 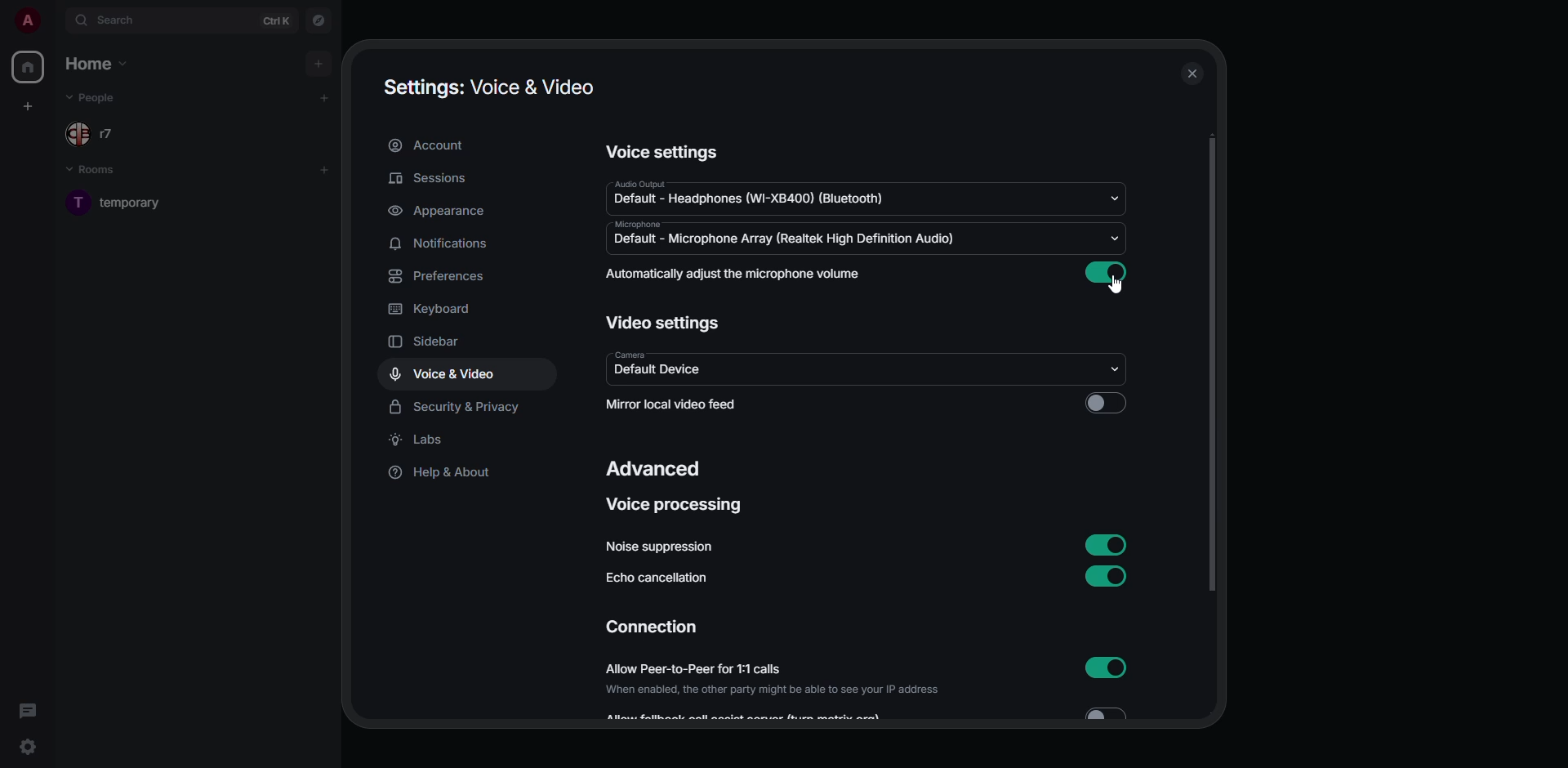 I want to click on people, so click(x=95, y=134).